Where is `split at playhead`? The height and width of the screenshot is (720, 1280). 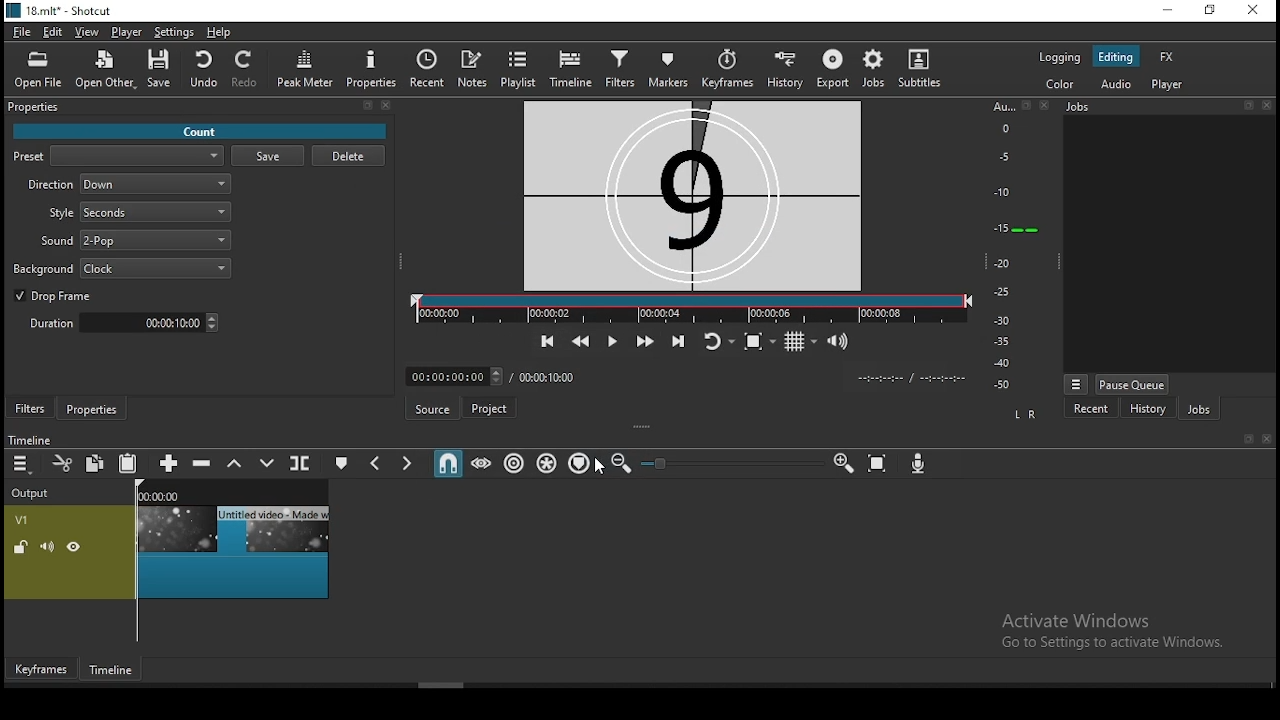
split at playhead is located at coordinates (299, 462).